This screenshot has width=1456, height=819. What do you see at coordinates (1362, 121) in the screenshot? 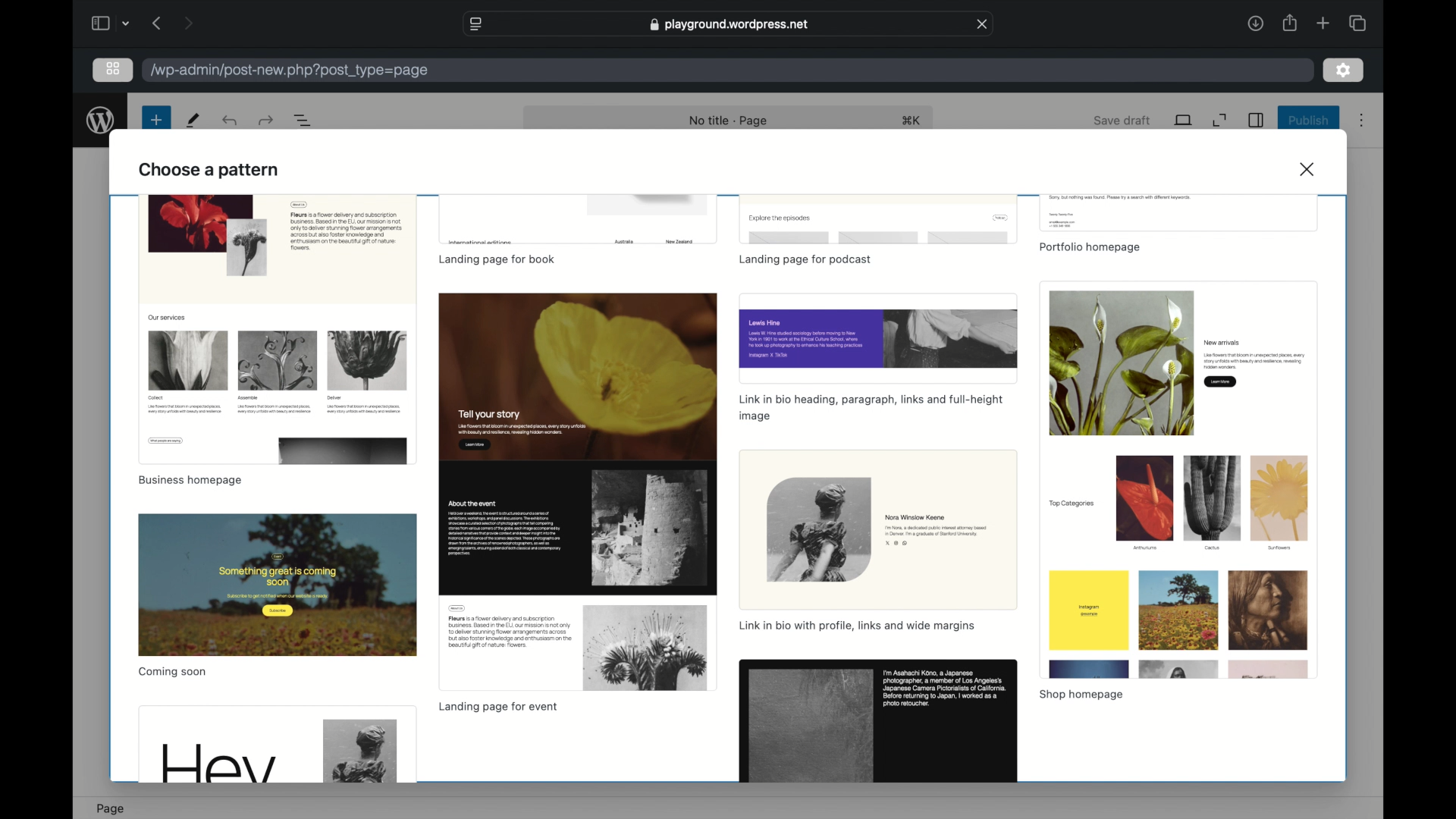
I see `more options` at bounding box center [1362, 121].